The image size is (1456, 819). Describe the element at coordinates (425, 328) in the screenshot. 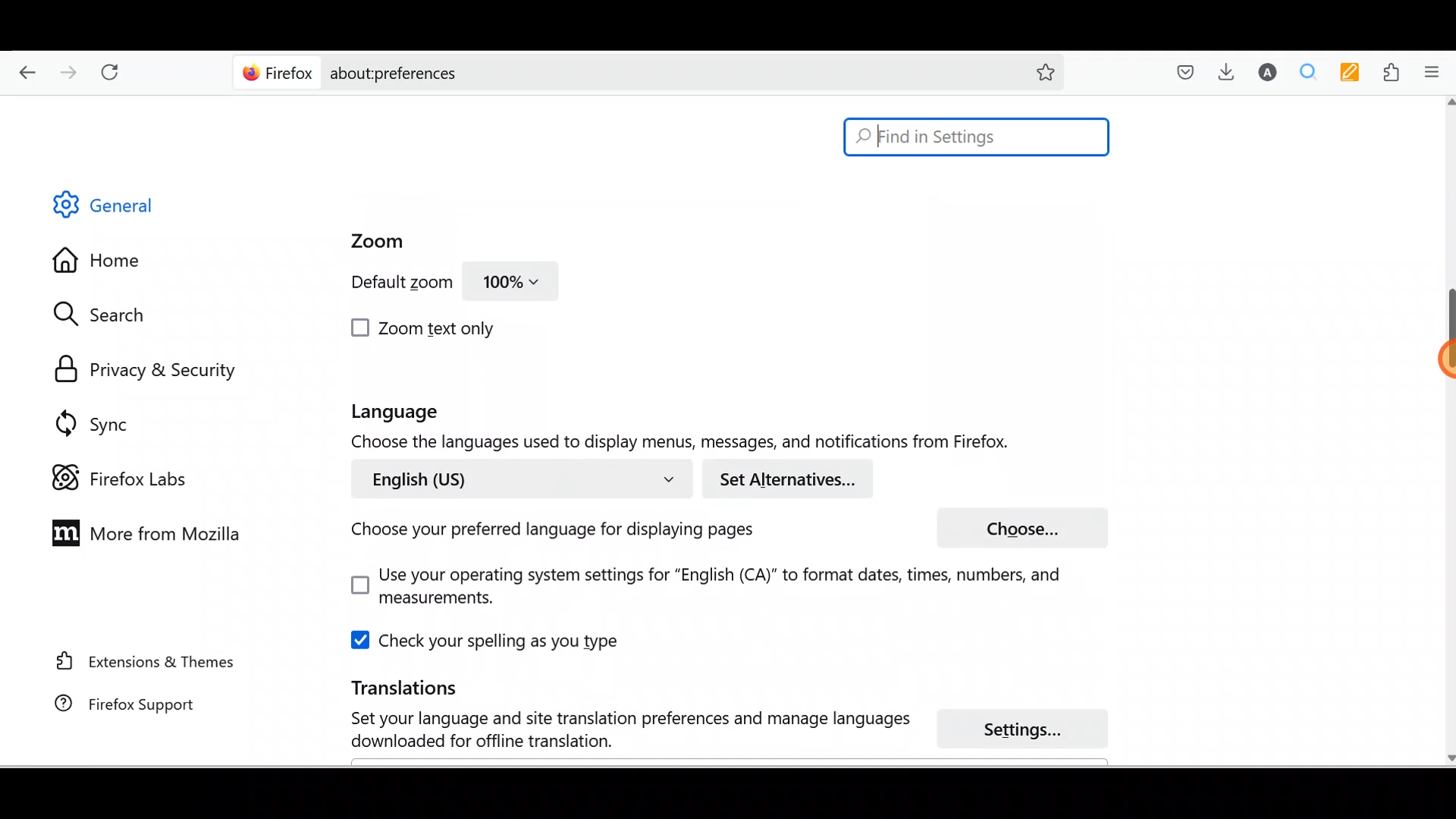

I see `Zoom text only` at that location.